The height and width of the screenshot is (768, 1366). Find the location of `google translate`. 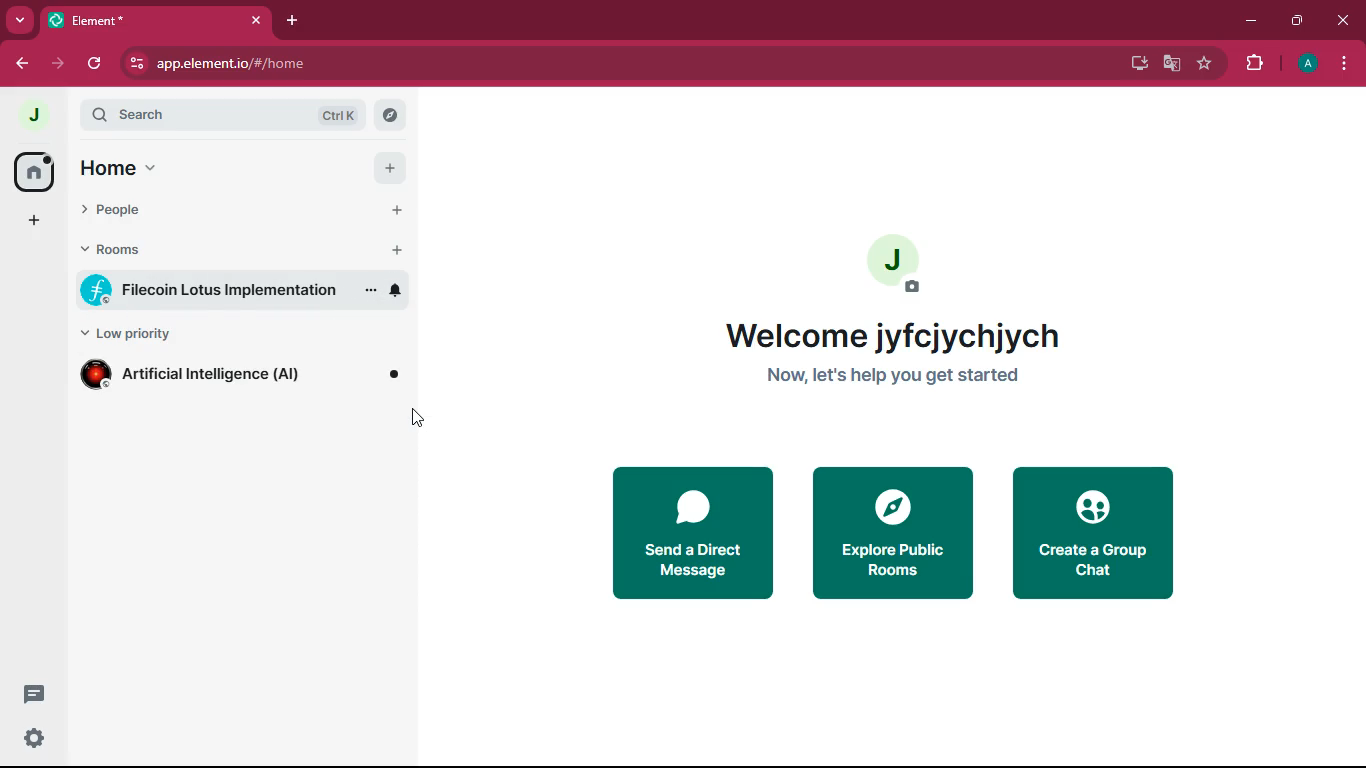

google translate is located at coordinates (1170, 65).